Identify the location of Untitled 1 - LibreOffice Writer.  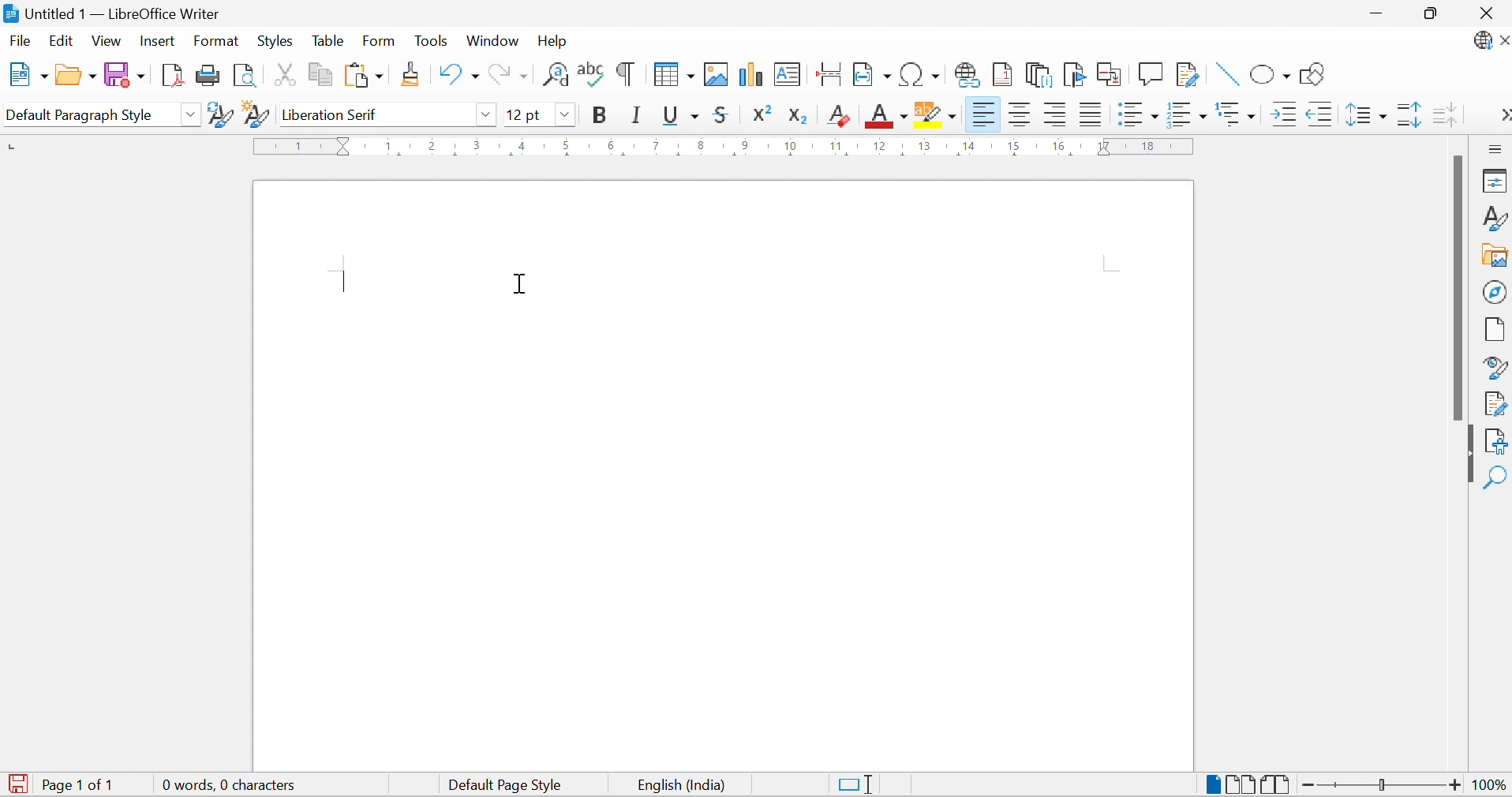
(114, 13).